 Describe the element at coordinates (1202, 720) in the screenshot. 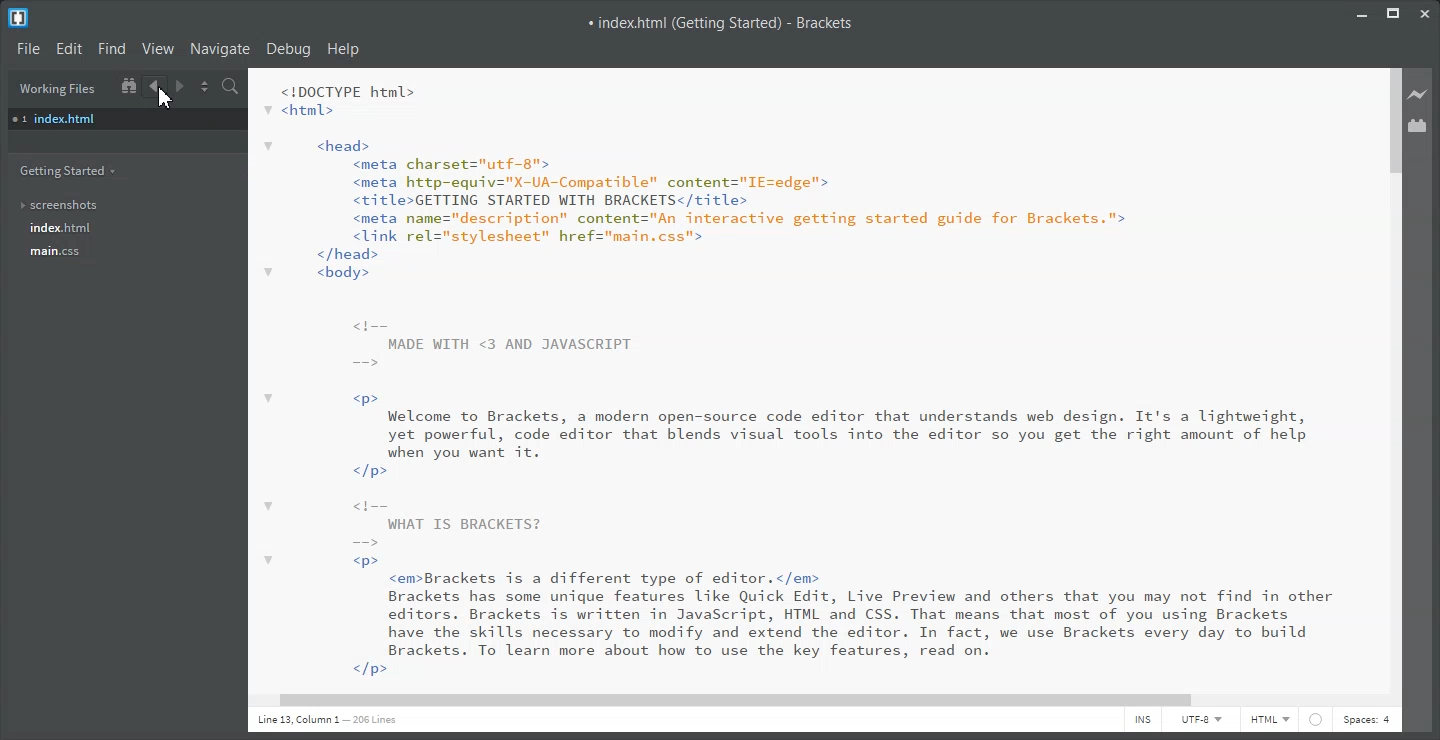

I see `UTF-8` at that location.